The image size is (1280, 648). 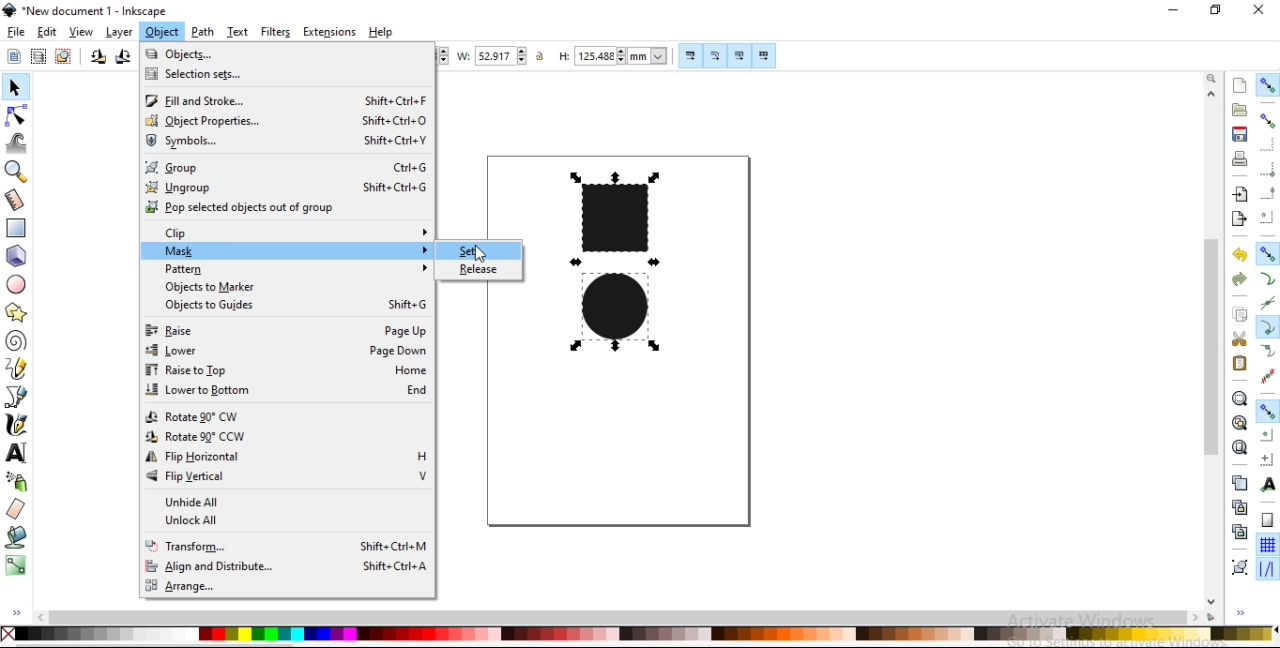 I want to click on snap centers of objects, so click(x=1267, y=436).